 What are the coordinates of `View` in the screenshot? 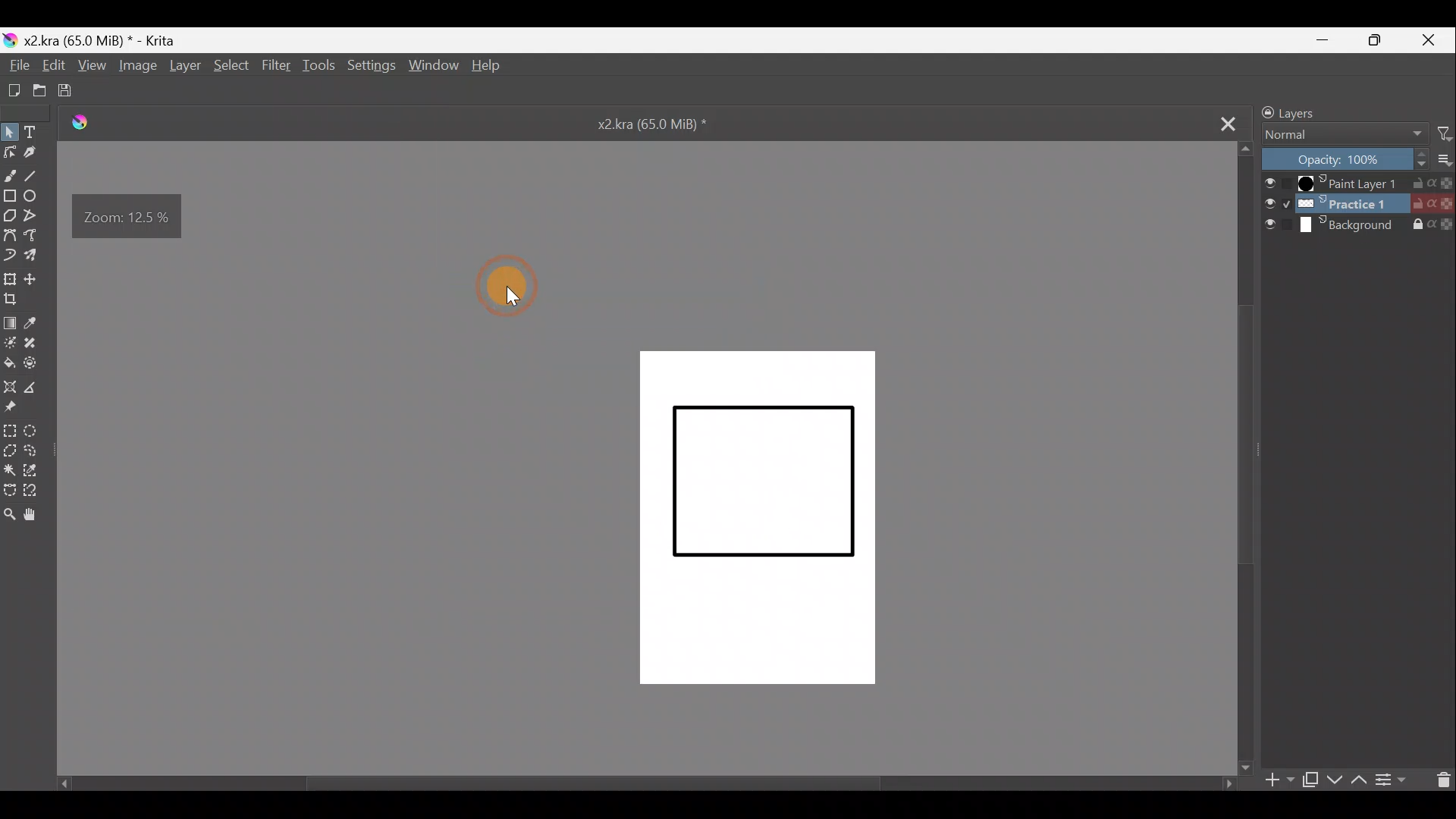 It's located at (89, 64).